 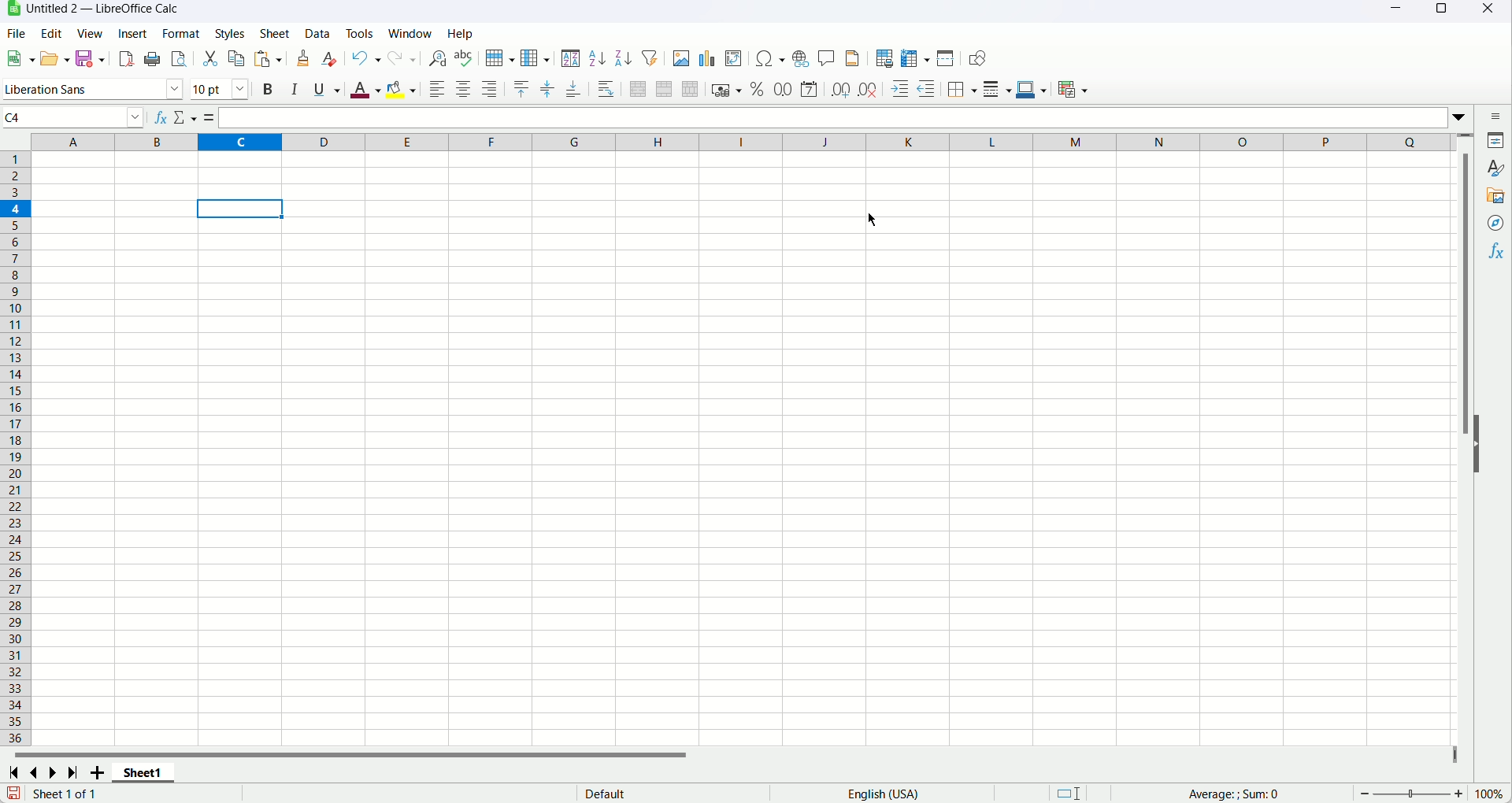 I want to click on Insert pivot table, so click(x=734, y=58).